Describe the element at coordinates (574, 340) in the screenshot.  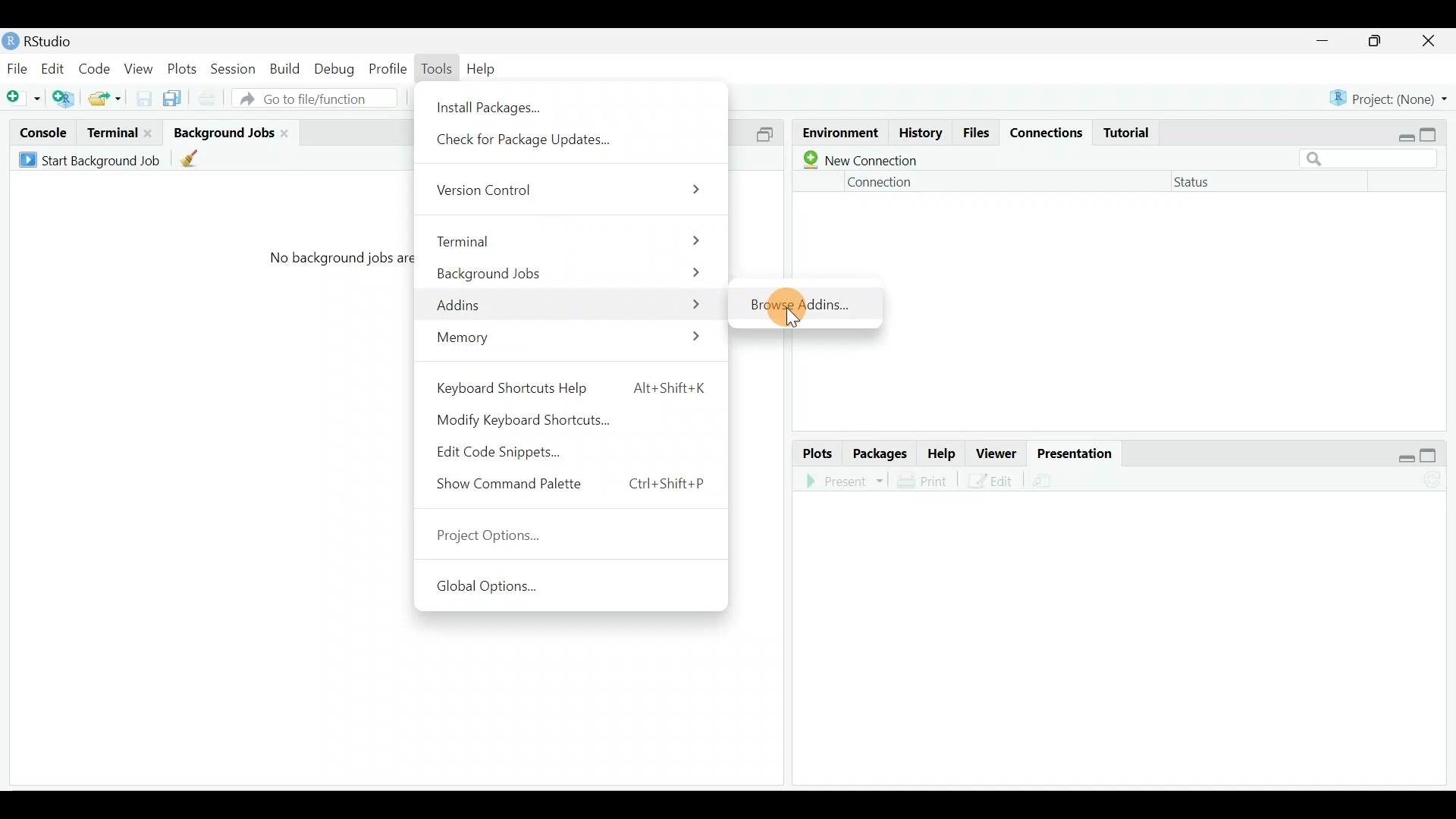
I see `Memory >` at that location.